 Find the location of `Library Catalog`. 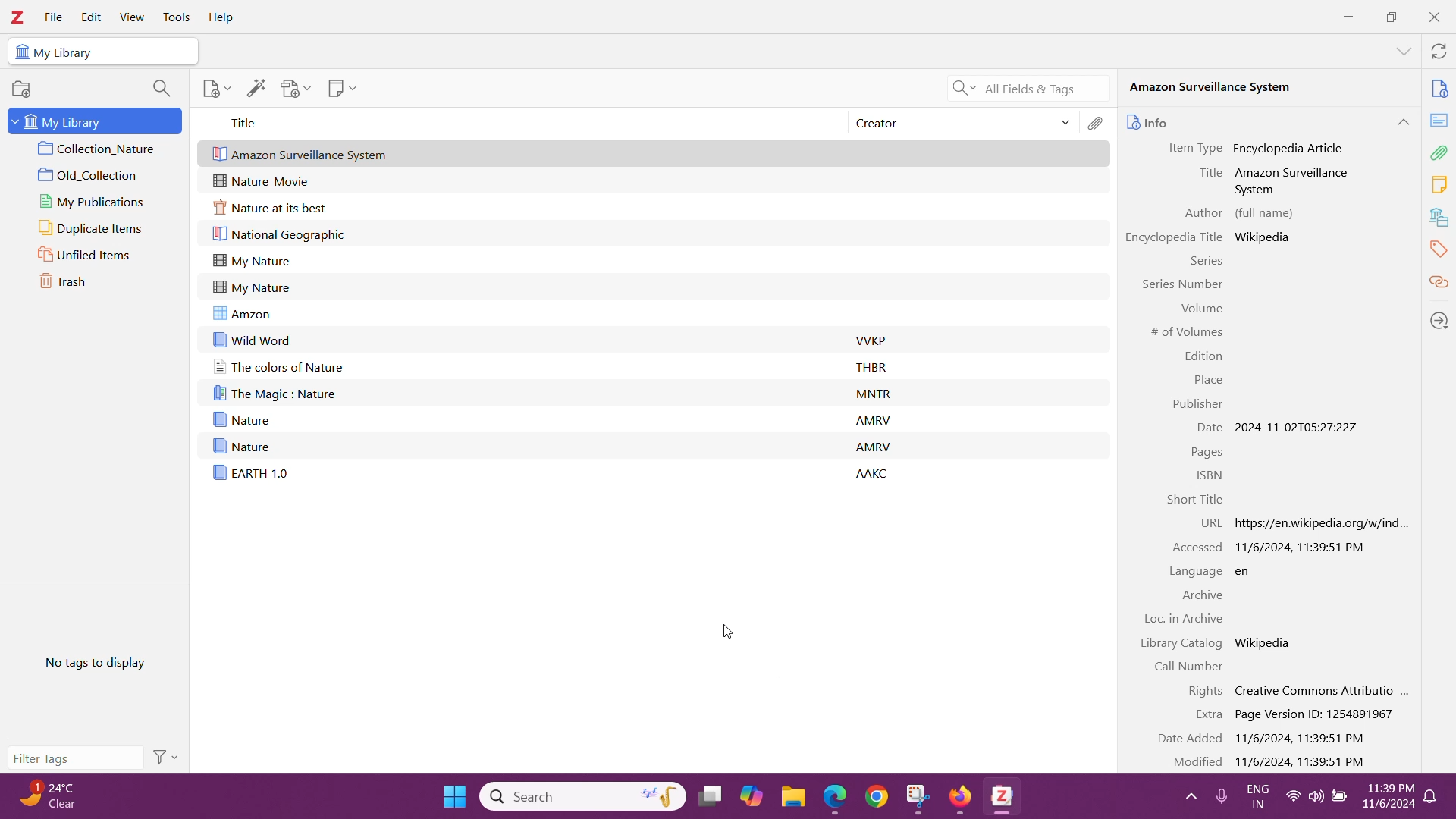

Library Catalog is located at coordinates (1180, 642).